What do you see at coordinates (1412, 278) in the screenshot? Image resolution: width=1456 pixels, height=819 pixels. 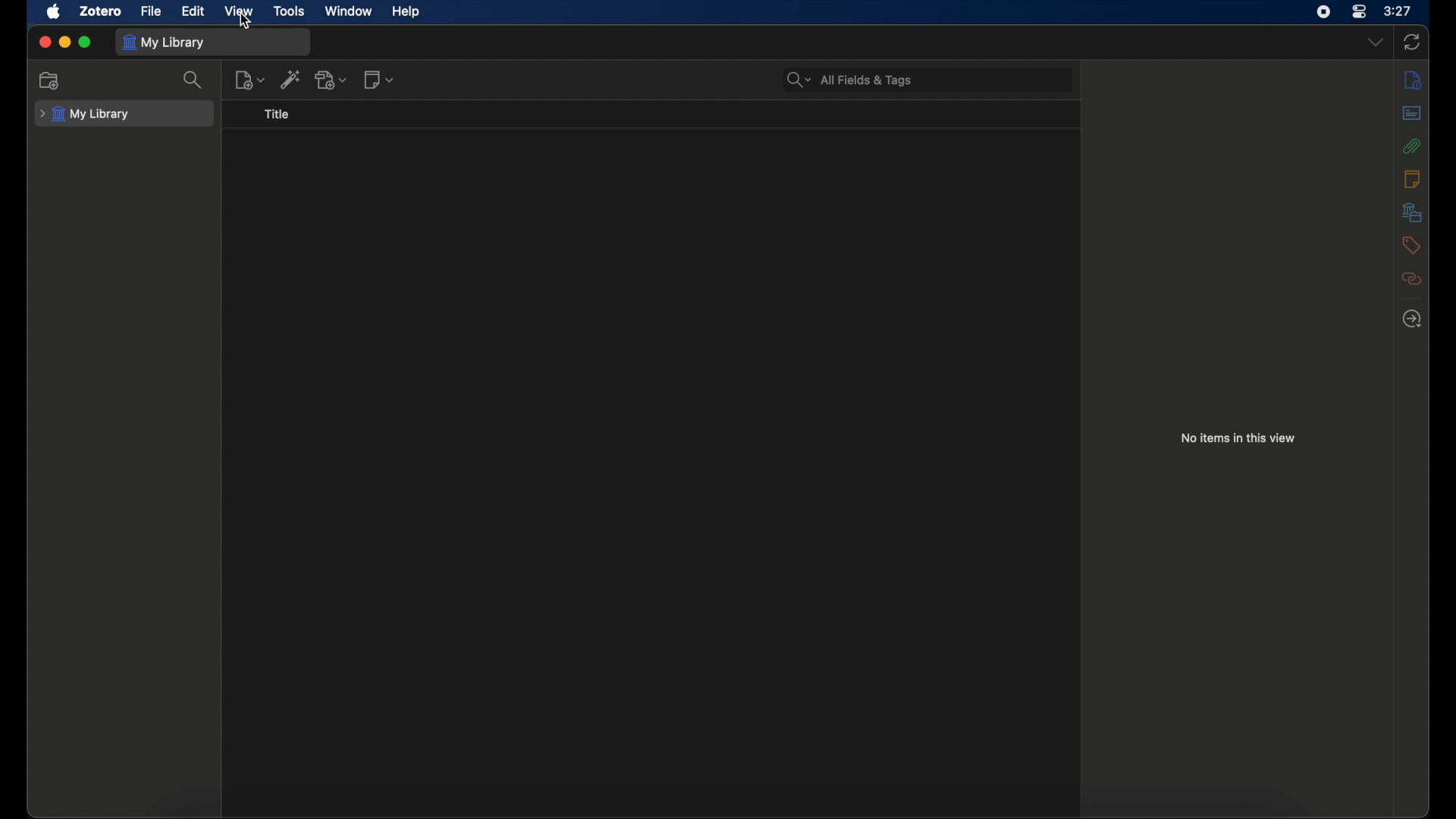 I see `related` at bounding box center [1412, 278].